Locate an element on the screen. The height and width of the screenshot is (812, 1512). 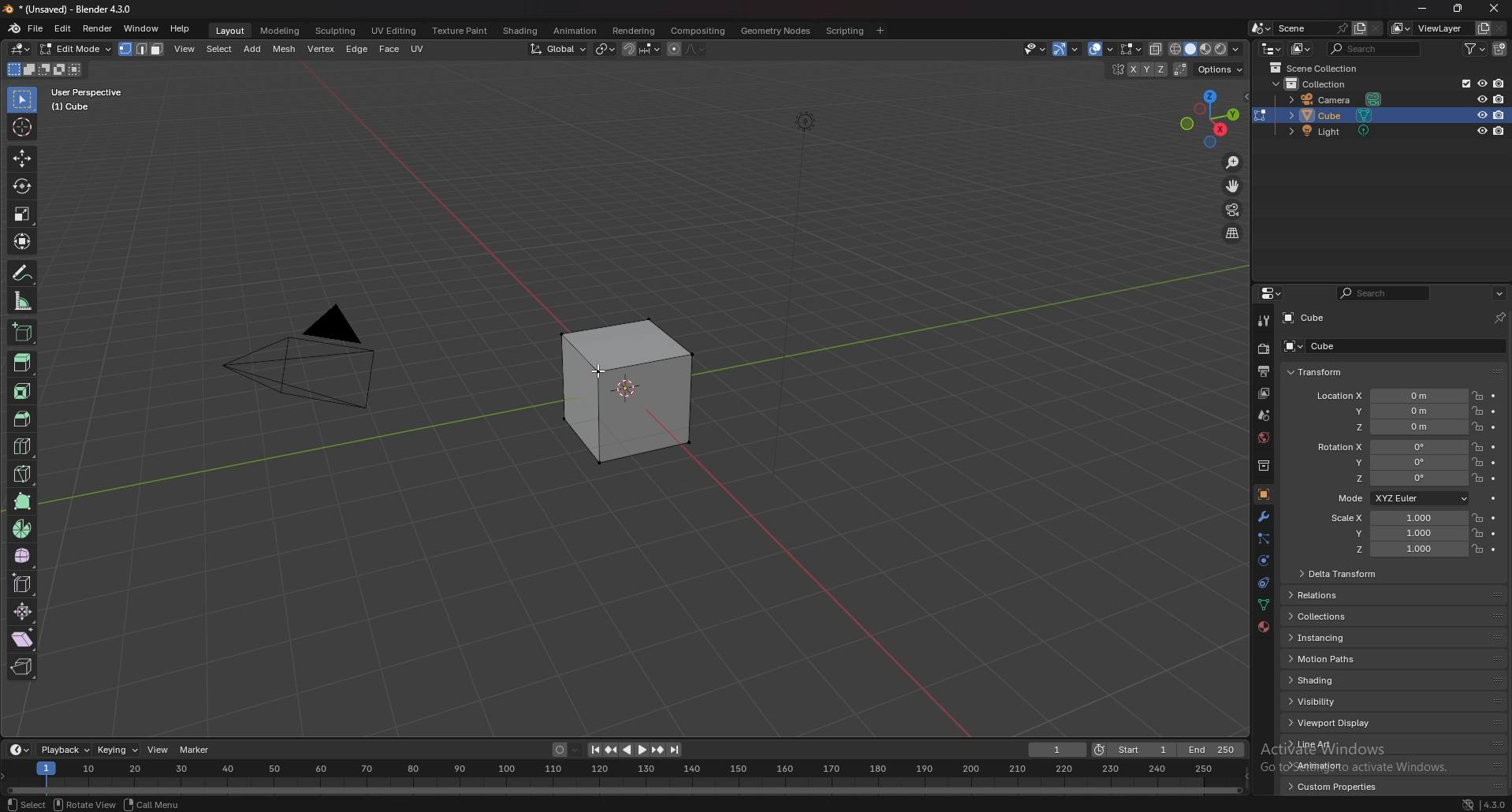
cursor is located at coordinates (602, 371).